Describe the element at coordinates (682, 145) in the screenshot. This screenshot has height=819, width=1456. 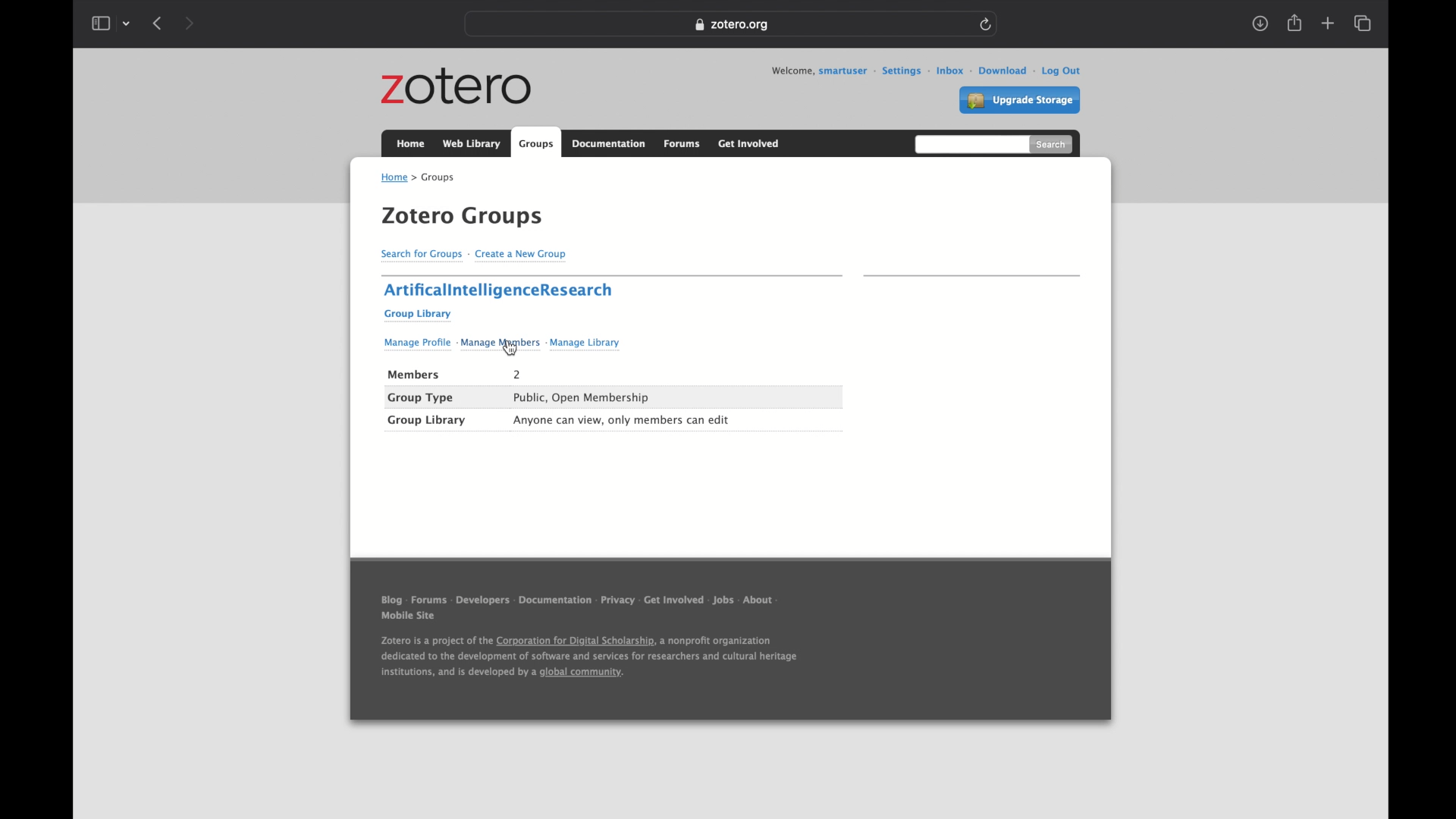
I see `forums` at that location.